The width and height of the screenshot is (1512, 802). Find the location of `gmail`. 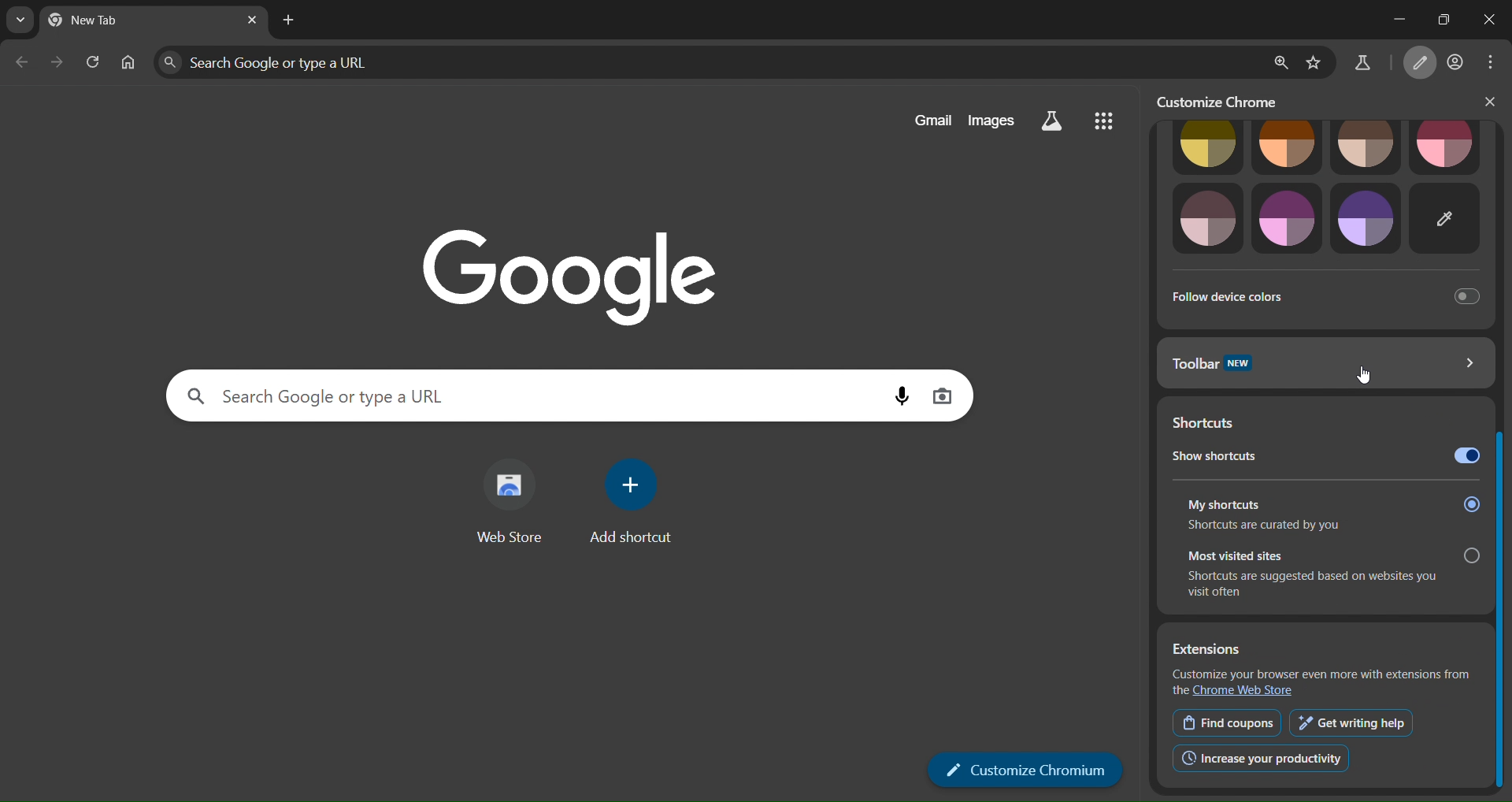

gmail is located at coordinates (927, 121).